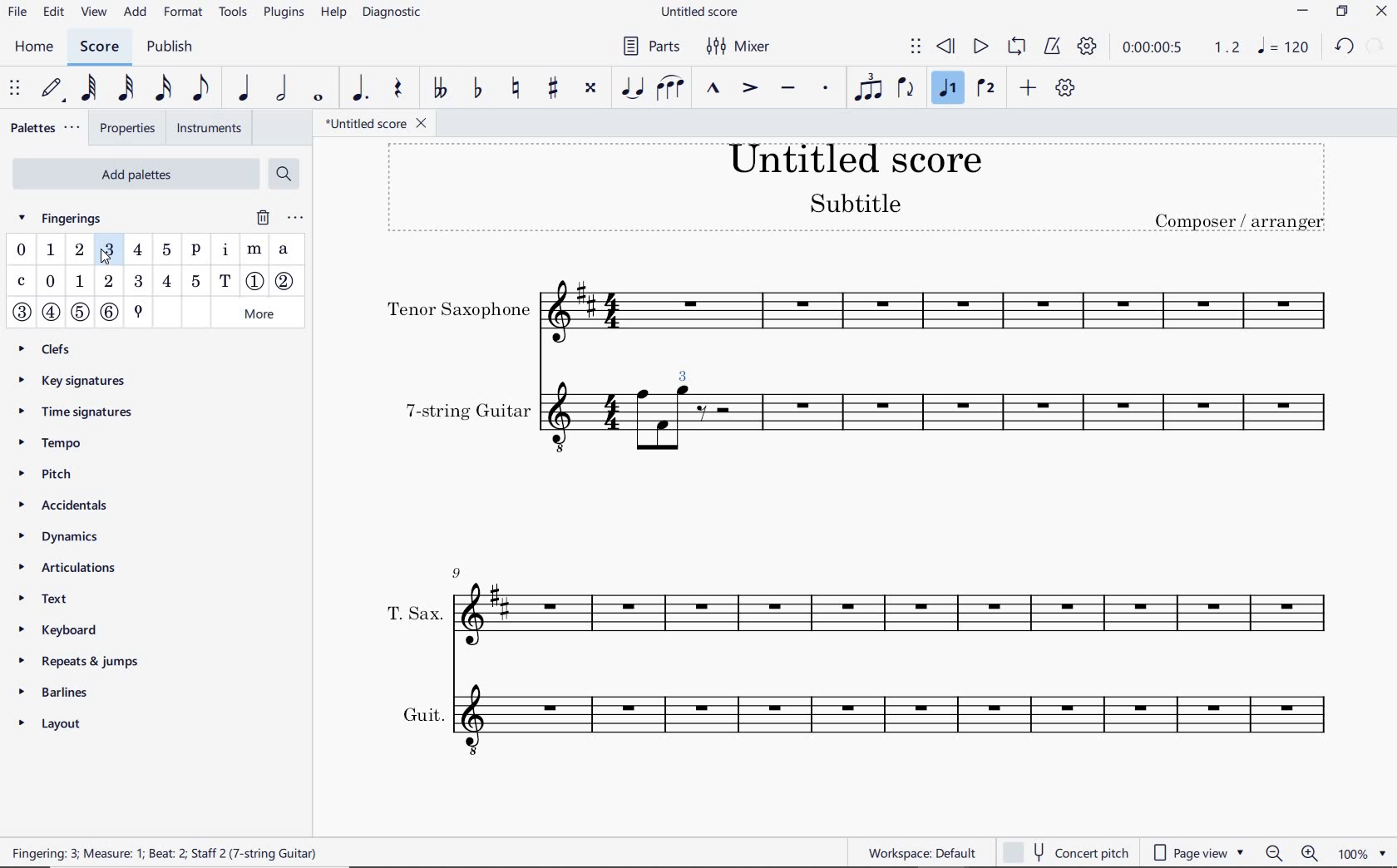 The width and height of the screenshot is (1397, 868). What do you see at coordinates (317, 99) in the screenshot?
I see `WHOLE NOTE` at bounding box center [317, 99].